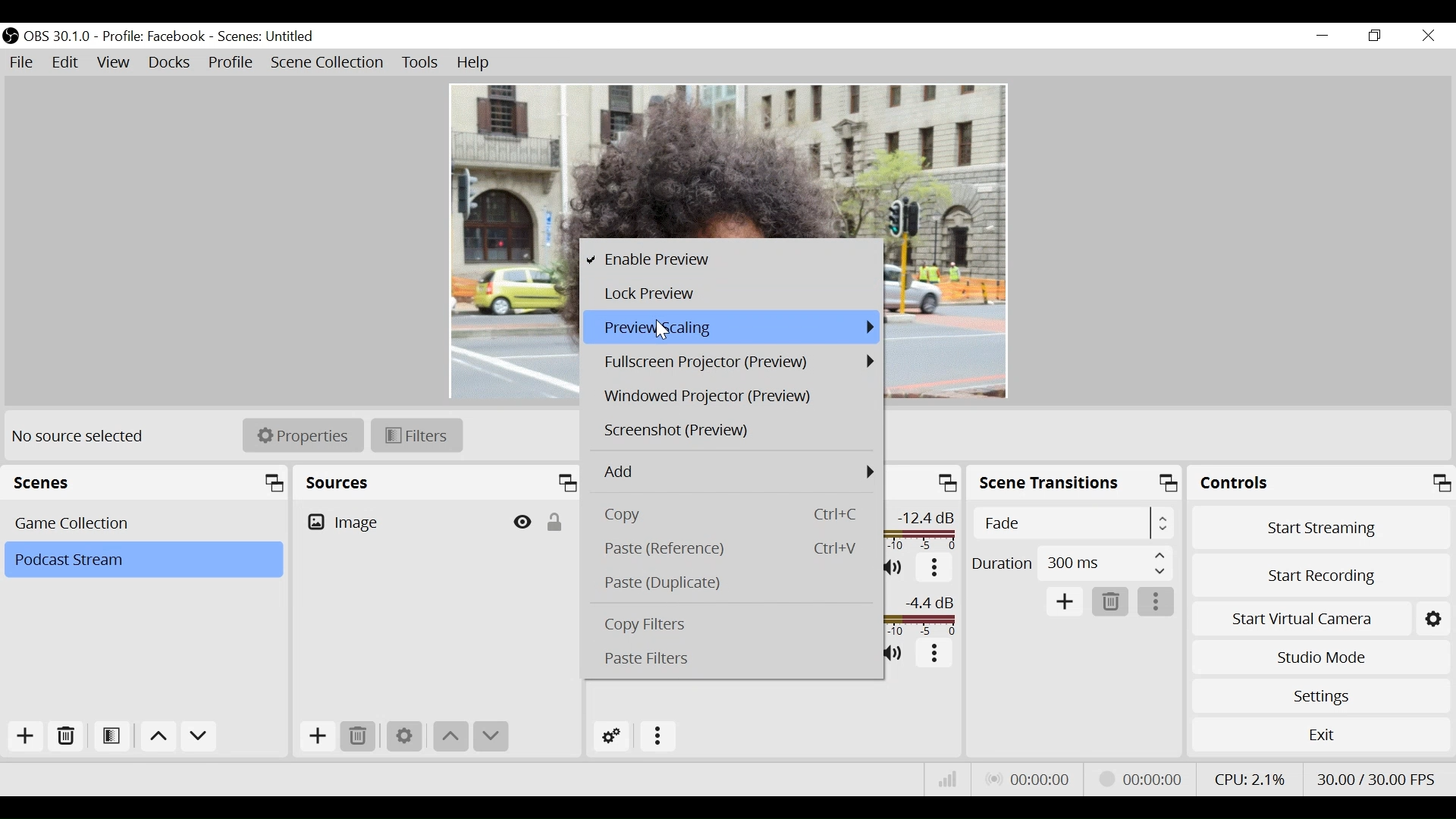 This screenshot has height=819, width=1456. Describe the element at coordinates (359, 738) in the screenshot. I see `Remove` at that location.